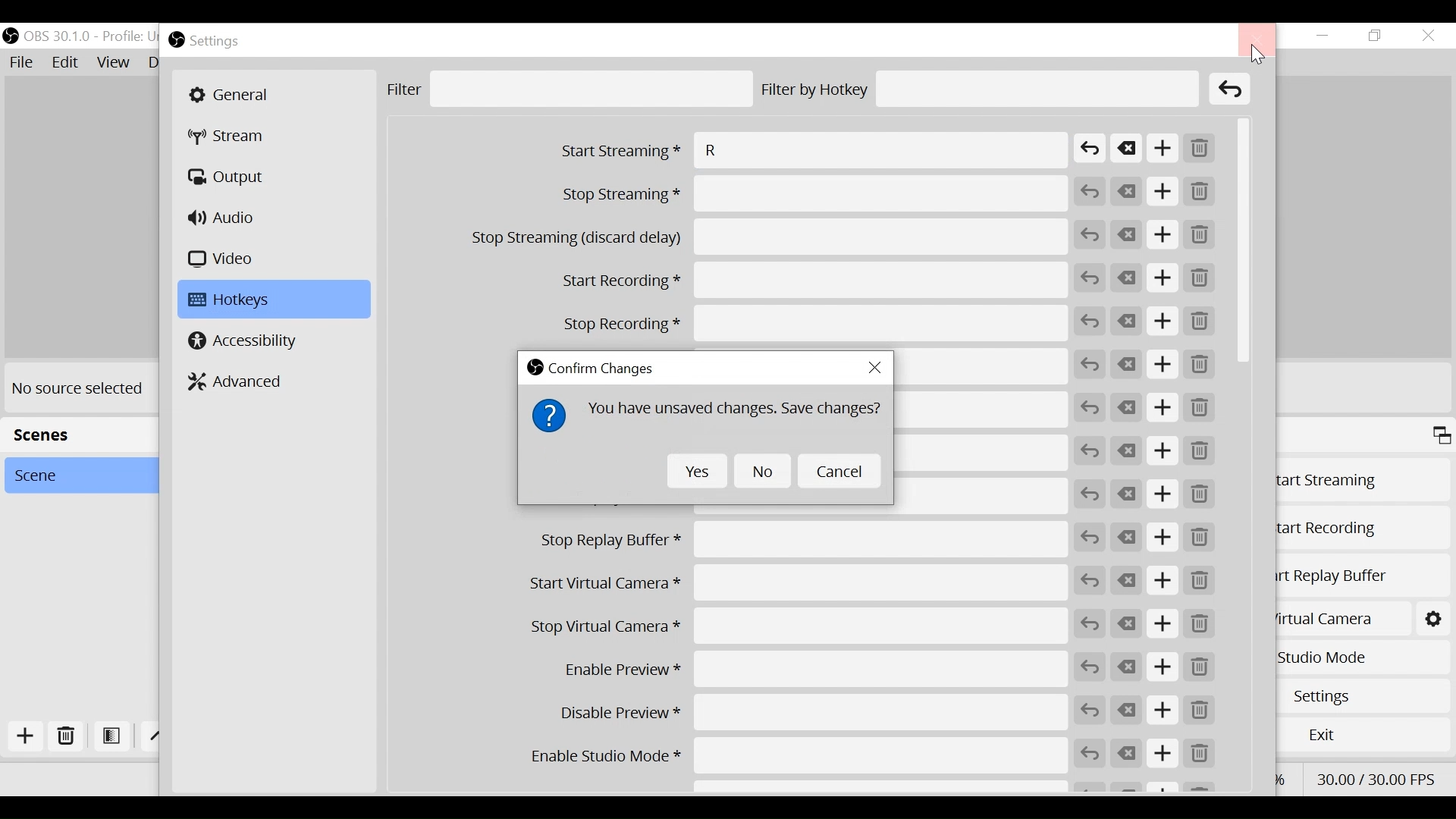 The image size is (1456, 819). Describe the element at coordinates (1163, 538) in the screenshot. I see `Add` at that location.